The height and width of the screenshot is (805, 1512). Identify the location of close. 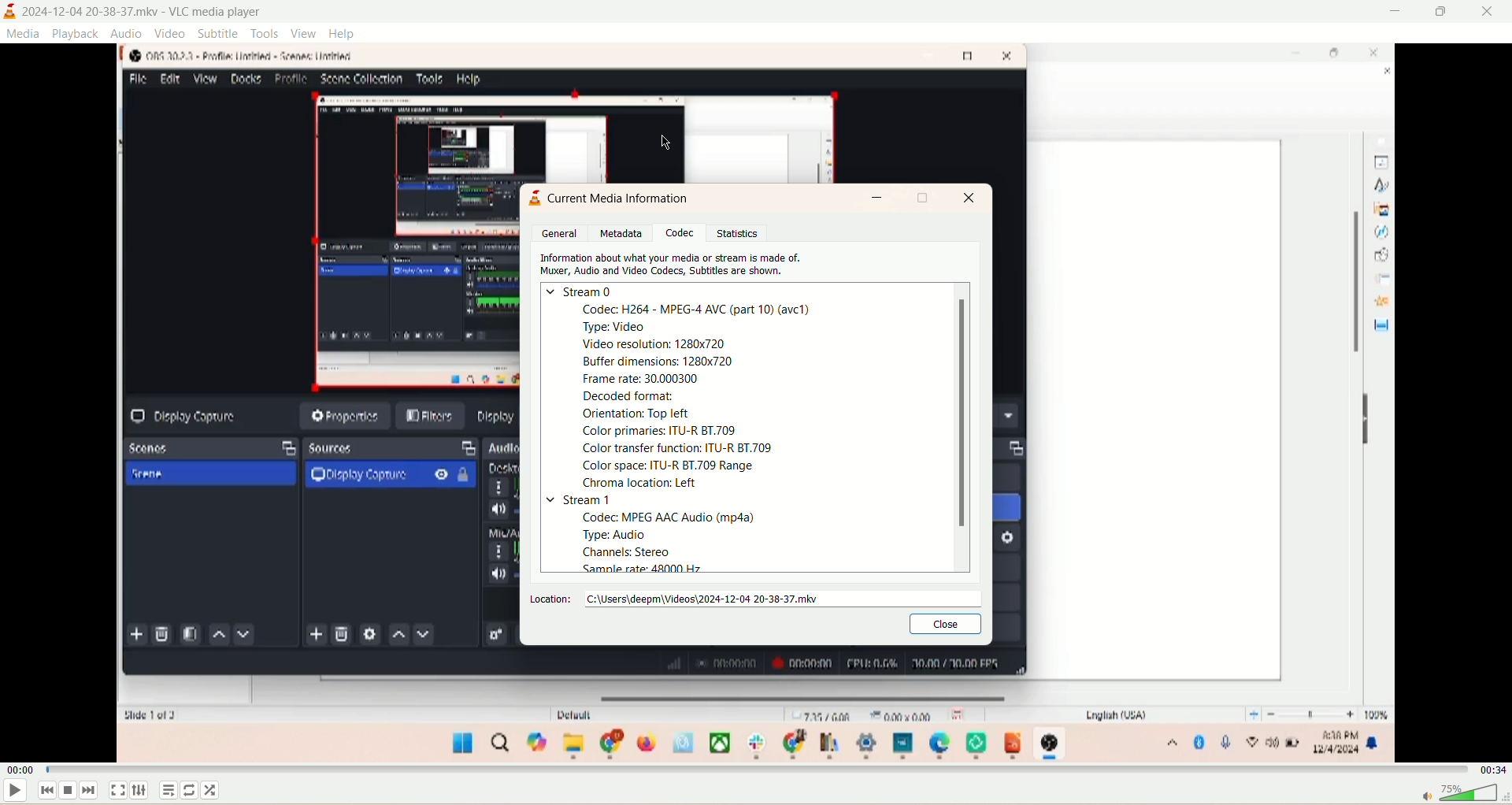
(1488, 13).